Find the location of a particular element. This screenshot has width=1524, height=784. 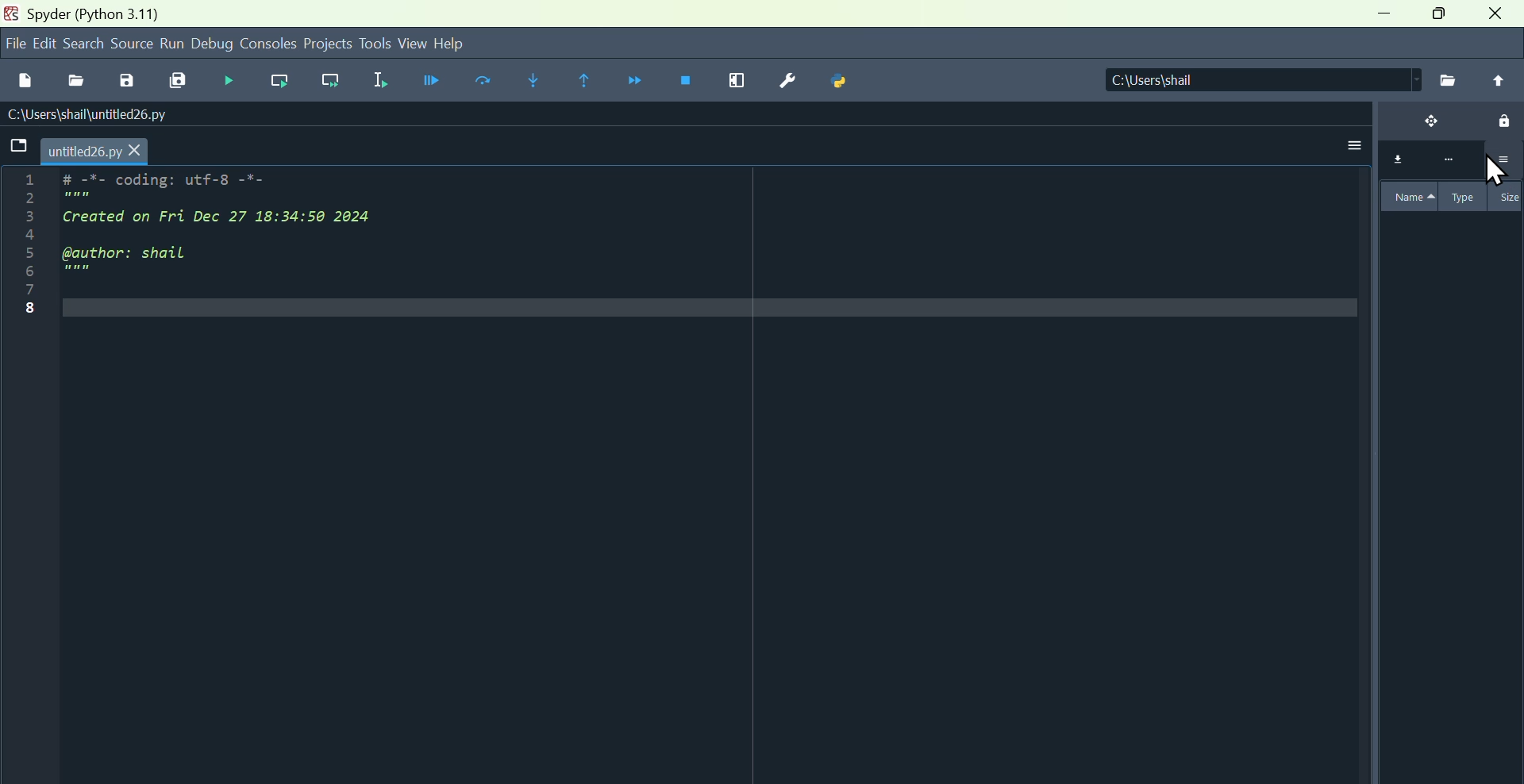

Maximise is located at coordinates (1441, 18).